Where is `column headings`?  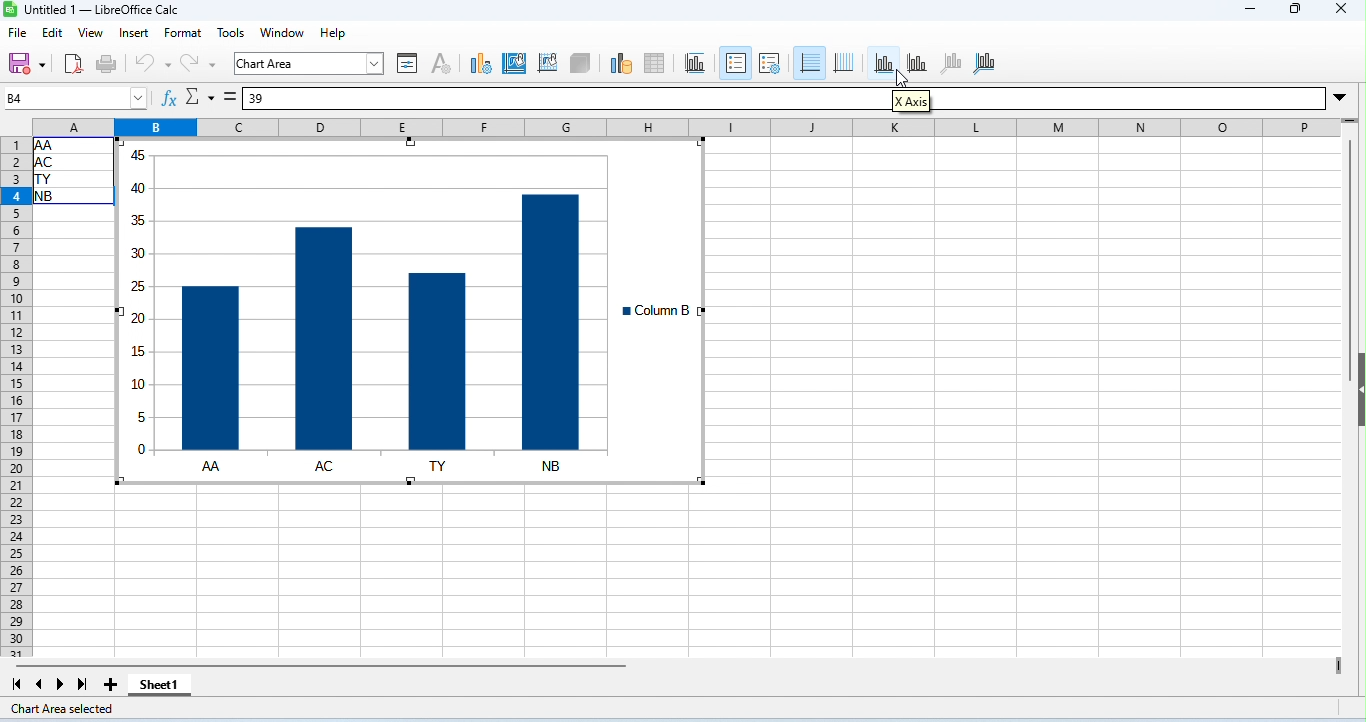
column headings is located at coordinates (685, 126).